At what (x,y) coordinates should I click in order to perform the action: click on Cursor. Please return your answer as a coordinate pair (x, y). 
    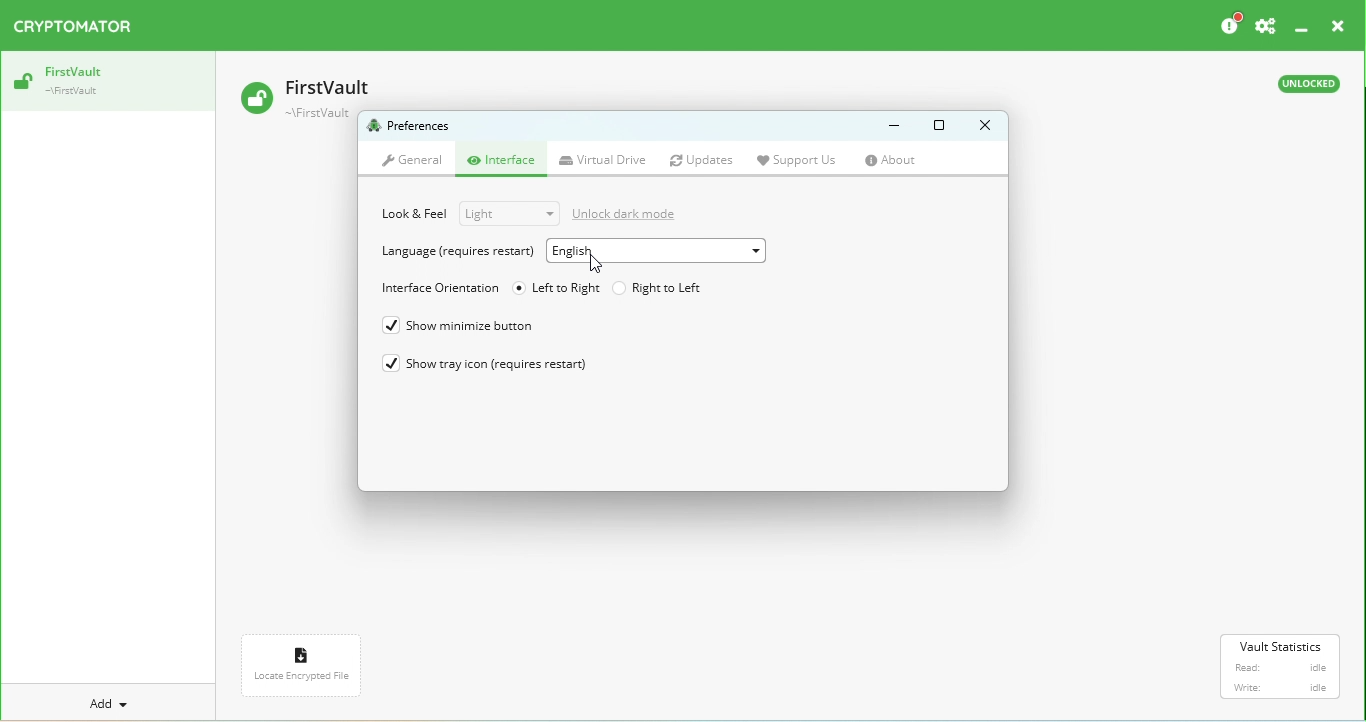
    Looking at the image, I should click on (595, 264).